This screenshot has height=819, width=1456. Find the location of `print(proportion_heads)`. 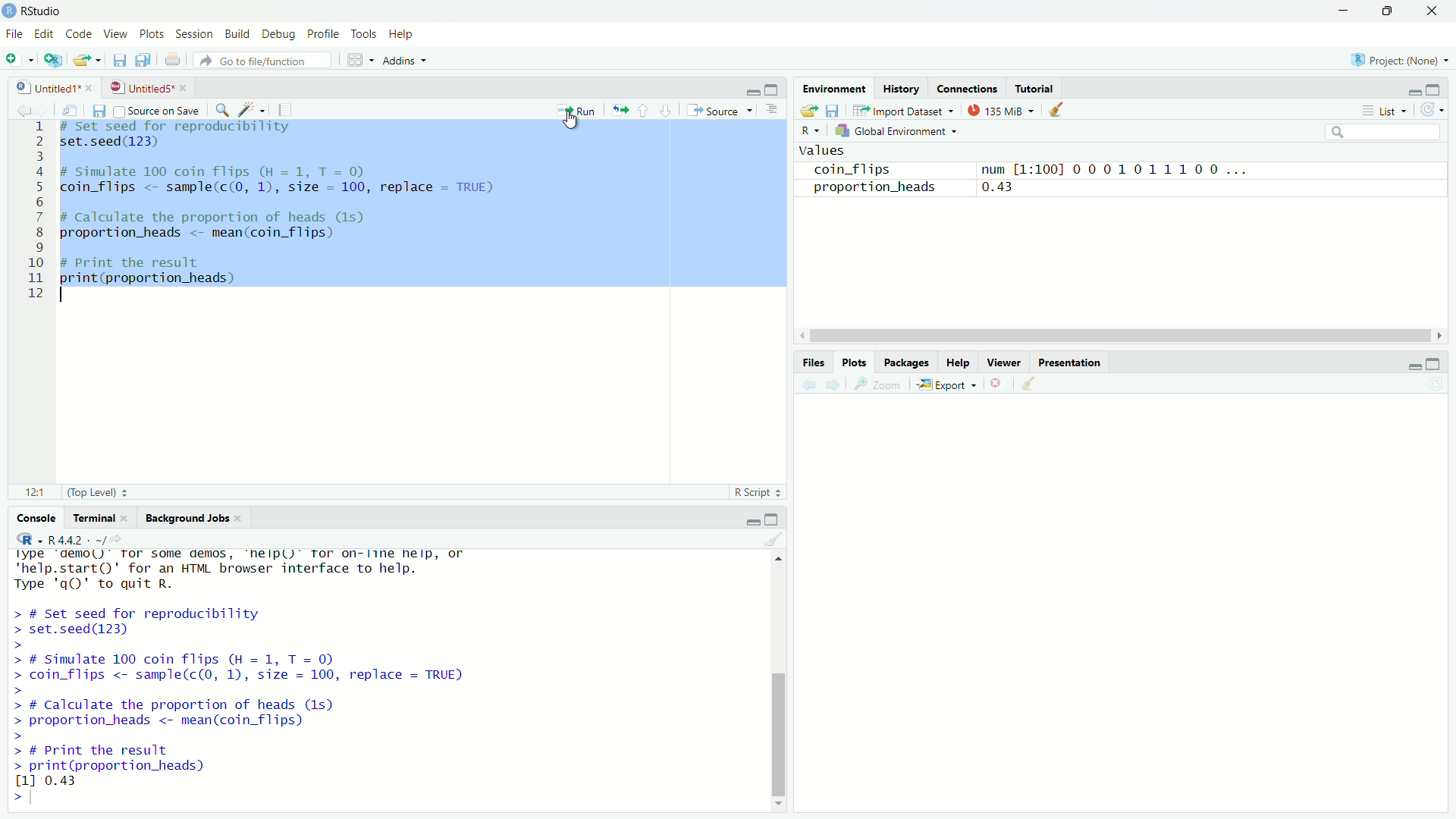

print(proportion_heads) is located at coordinates (157, 279).